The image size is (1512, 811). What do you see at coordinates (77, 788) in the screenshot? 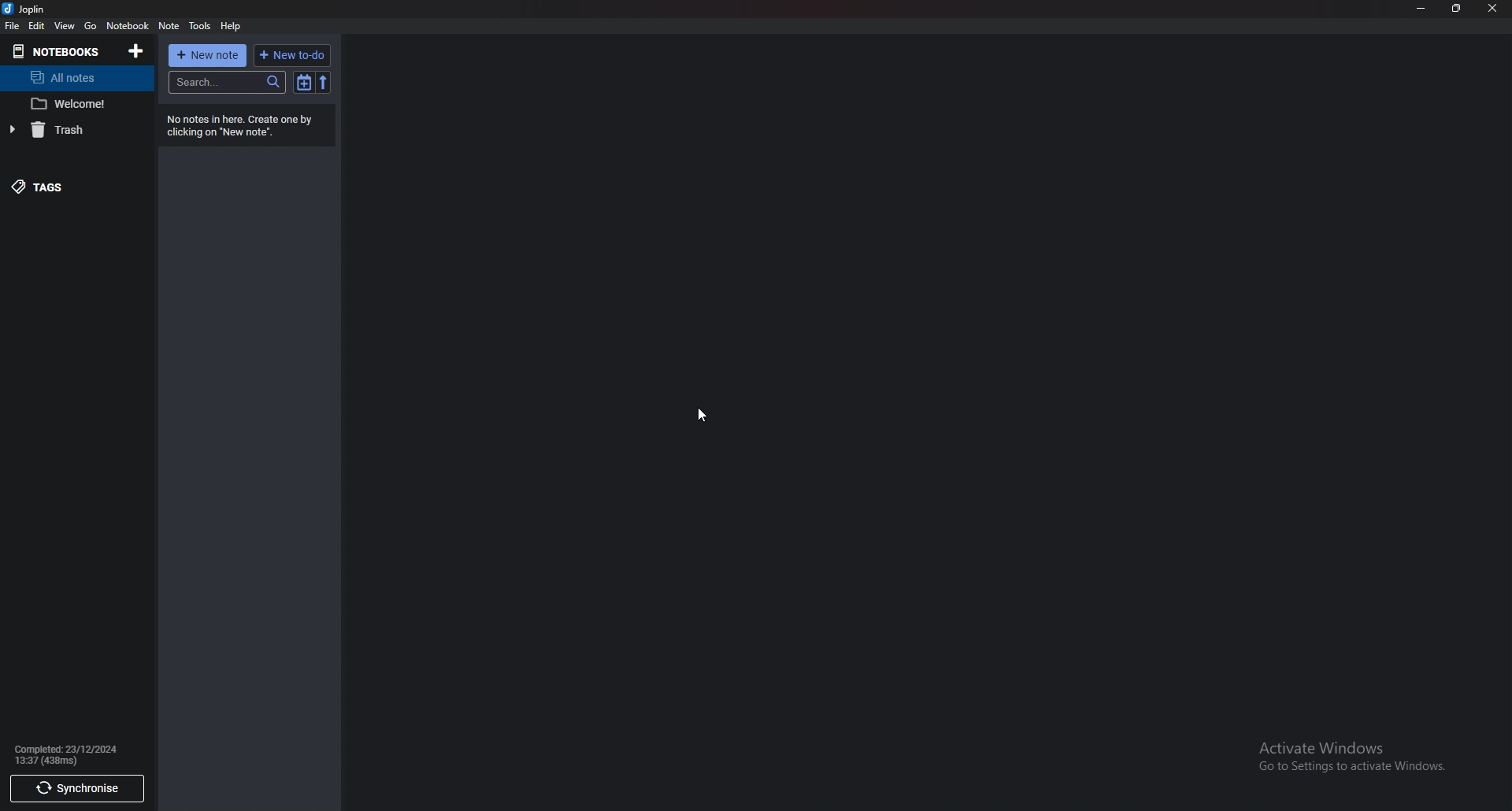
I see `Synchronize` at bounding box center [77, 788].